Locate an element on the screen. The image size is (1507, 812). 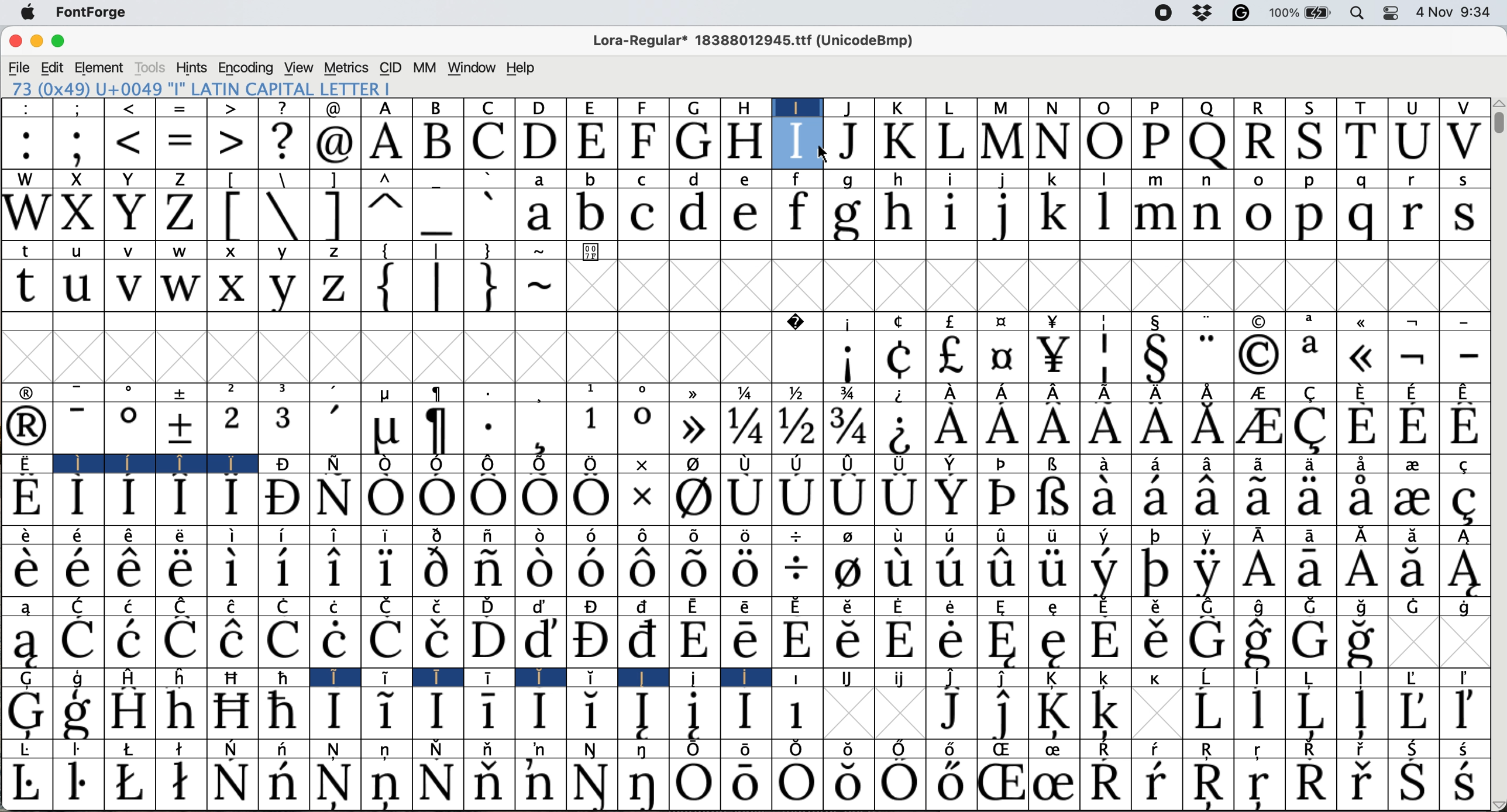
Symbol is located at coordinates (848, 641).